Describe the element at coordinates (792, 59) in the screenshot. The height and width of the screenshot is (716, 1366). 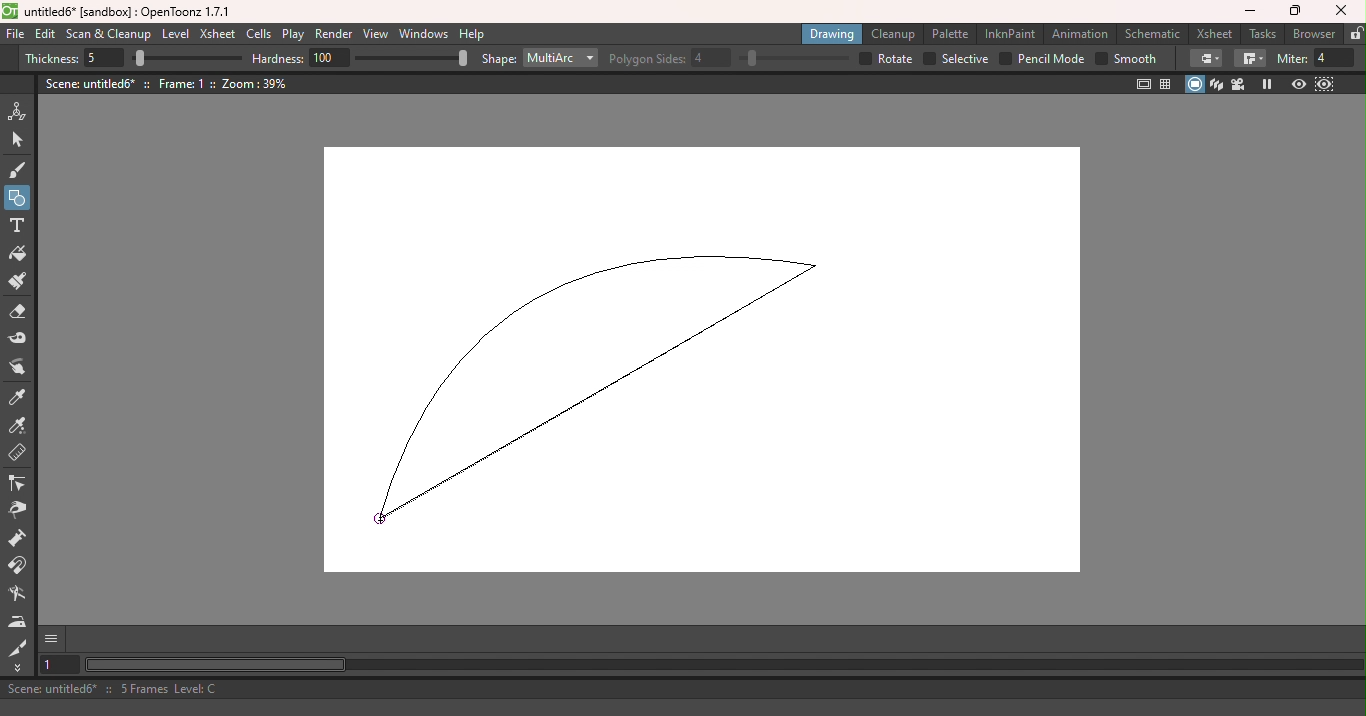
I see `Polygon sides bar` at that location.